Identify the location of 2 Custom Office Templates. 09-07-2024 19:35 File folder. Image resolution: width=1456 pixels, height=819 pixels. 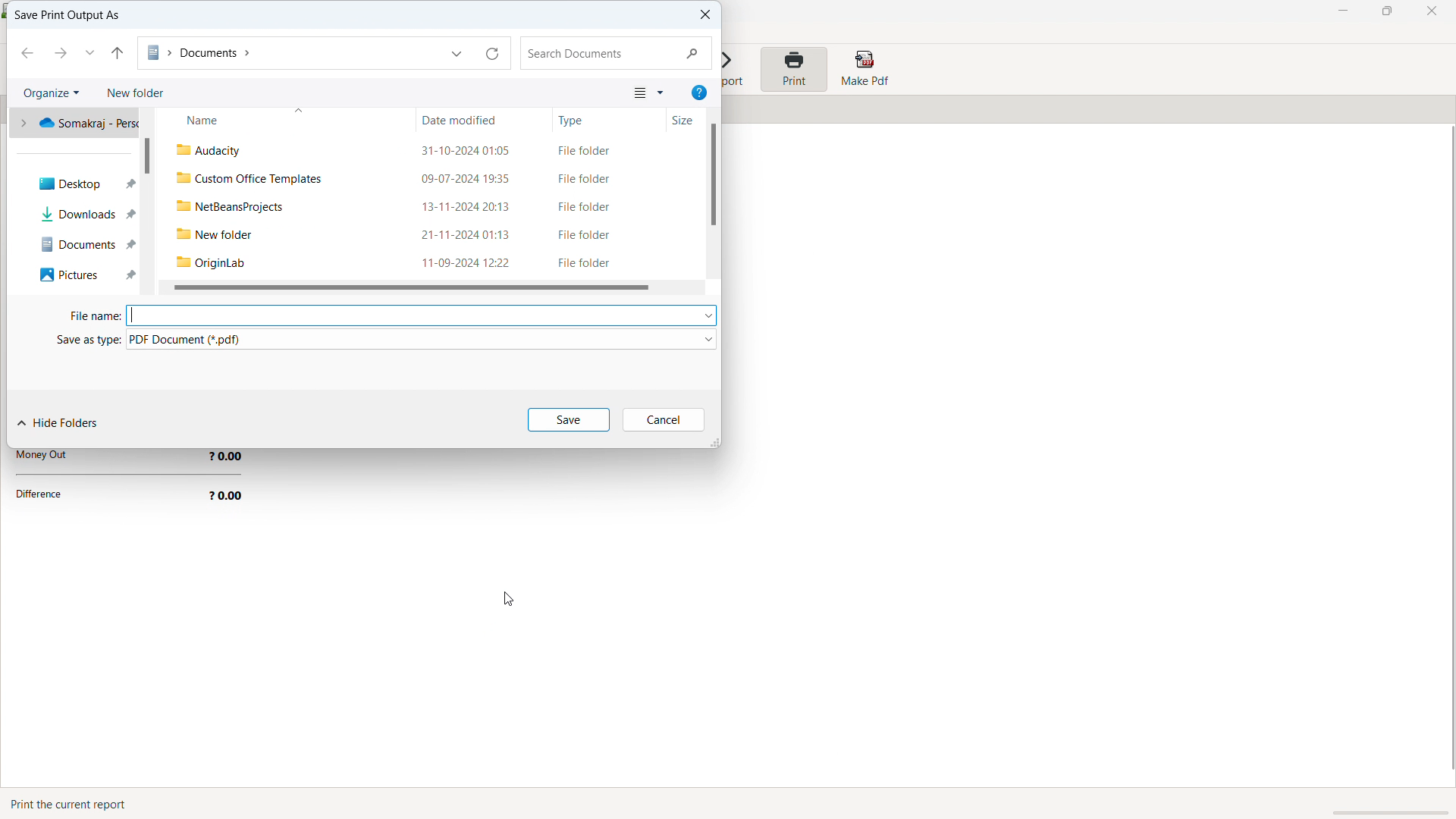
(423, 179).